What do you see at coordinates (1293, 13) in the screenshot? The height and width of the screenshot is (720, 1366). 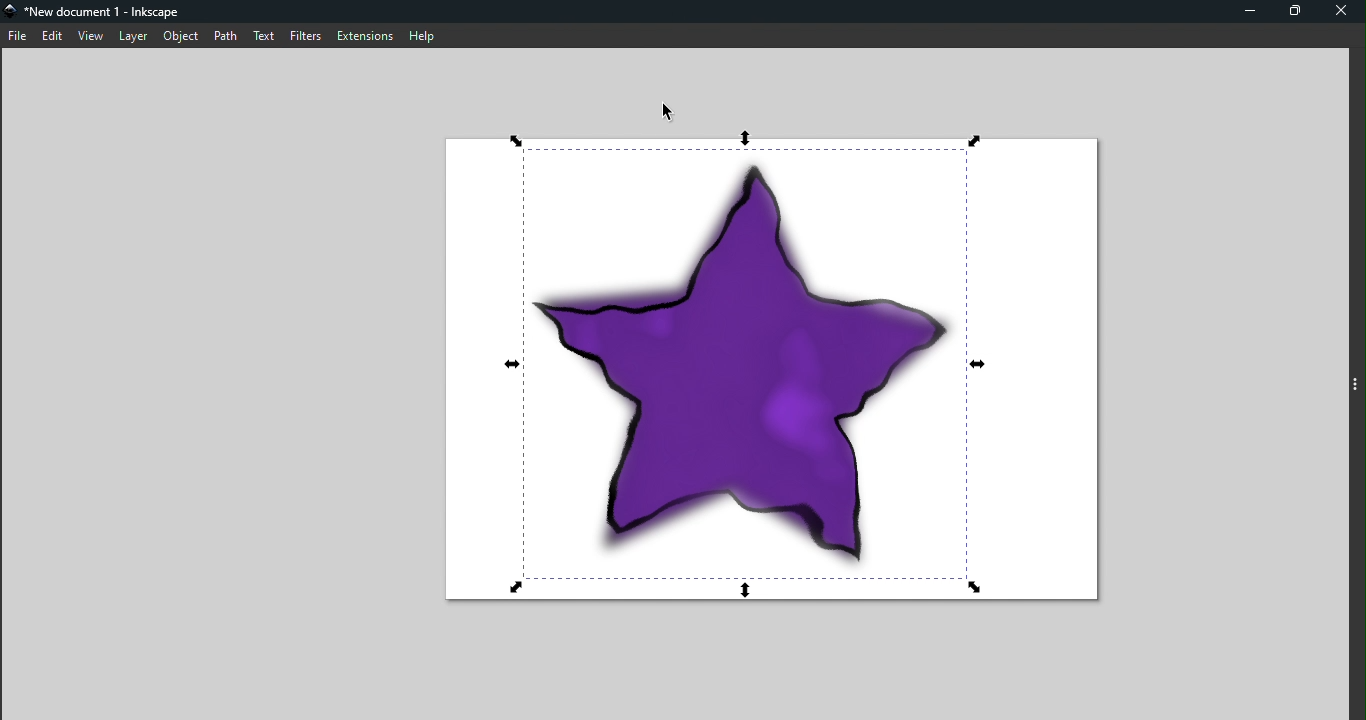 I see `Maximize` at bounding box center [1293, 13].